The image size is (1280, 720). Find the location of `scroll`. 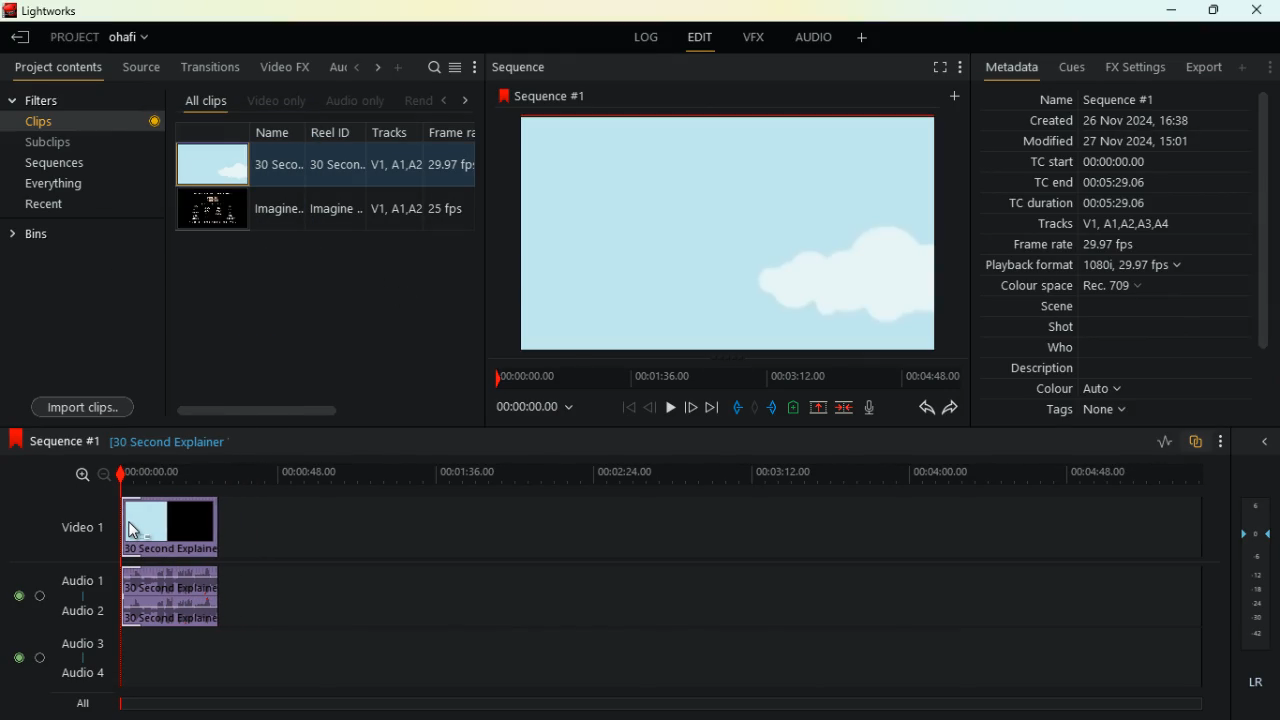

scroll is located at coordinates (281, 408).